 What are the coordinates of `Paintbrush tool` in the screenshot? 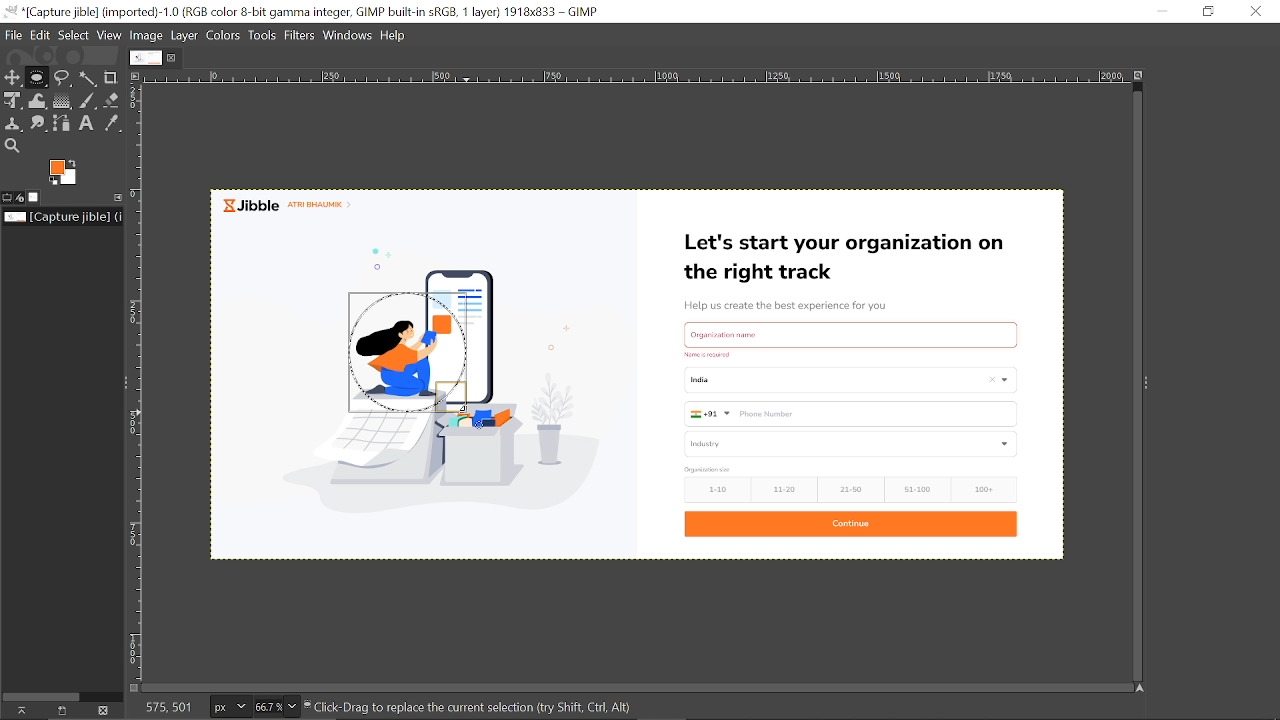 It's located at (89, 100).